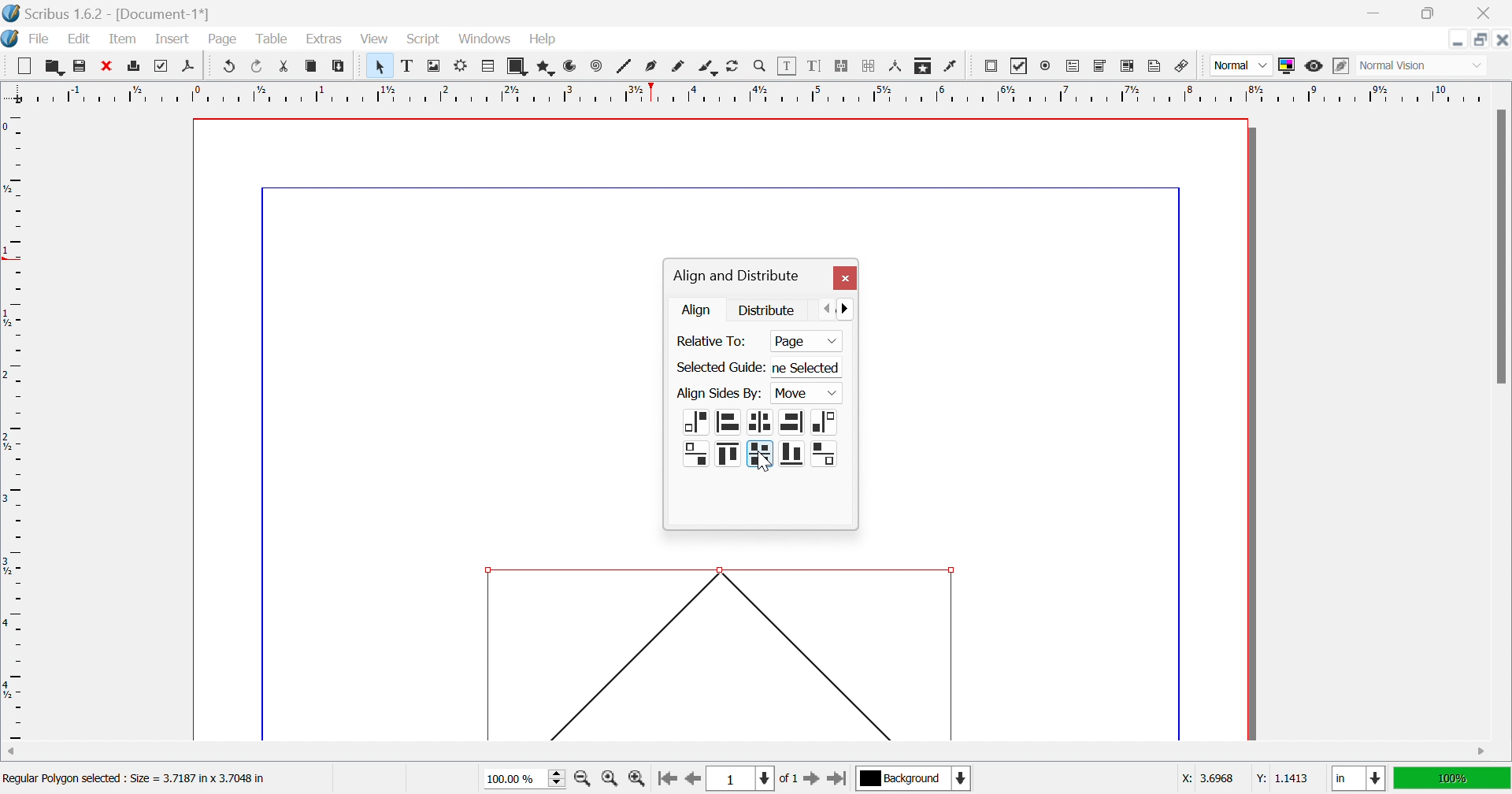  I want to click on PDF checkbox, so click(1019, 66).